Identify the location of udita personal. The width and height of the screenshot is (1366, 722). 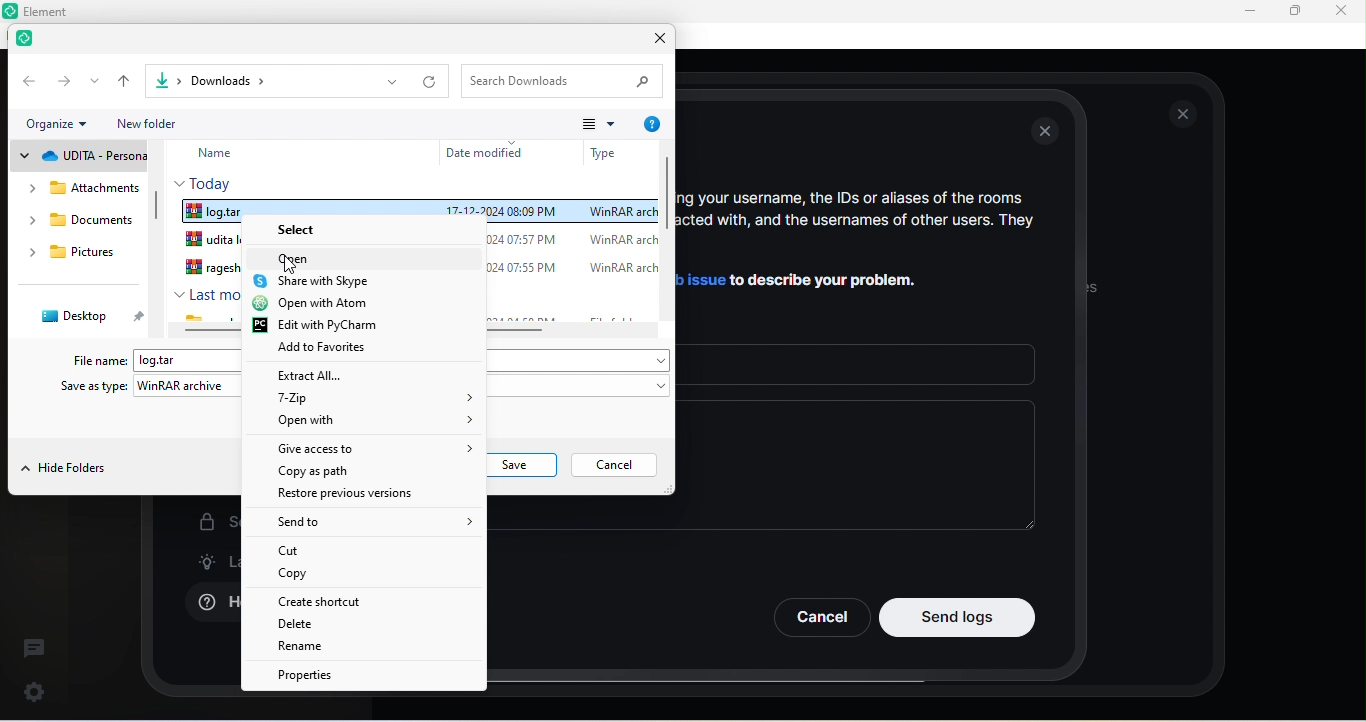
(80, 156).